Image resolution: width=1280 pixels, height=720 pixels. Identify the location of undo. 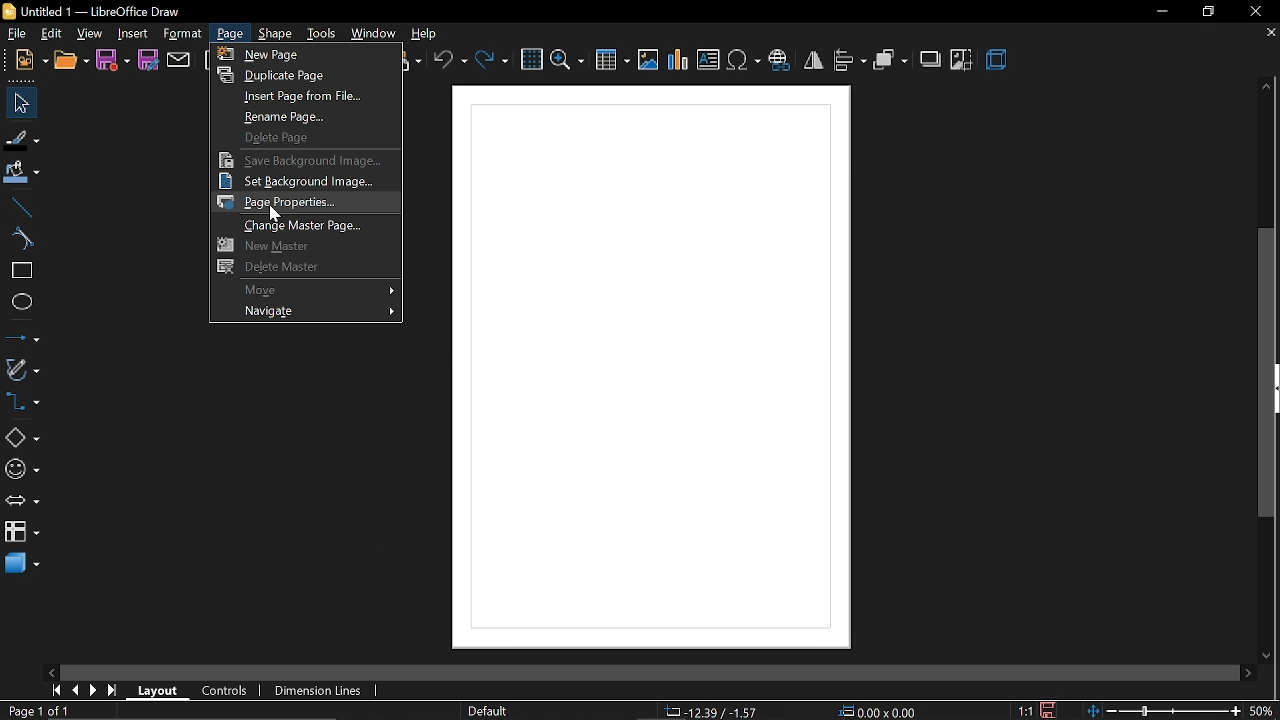
(450, 61).